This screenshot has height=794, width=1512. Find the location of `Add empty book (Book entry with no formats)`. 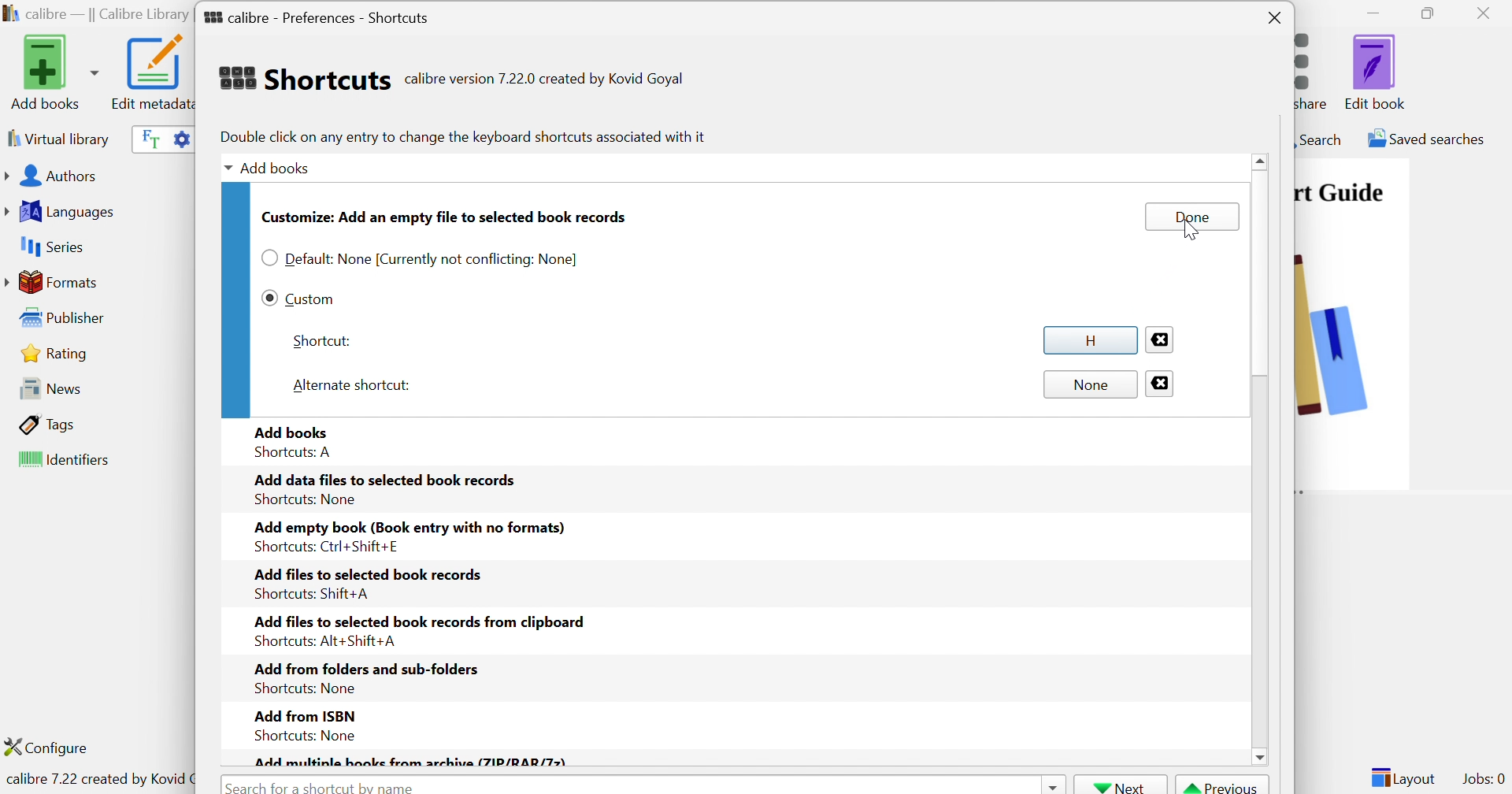

Add empty book (Book entry with no formats) is located at coordinates (409, 529).